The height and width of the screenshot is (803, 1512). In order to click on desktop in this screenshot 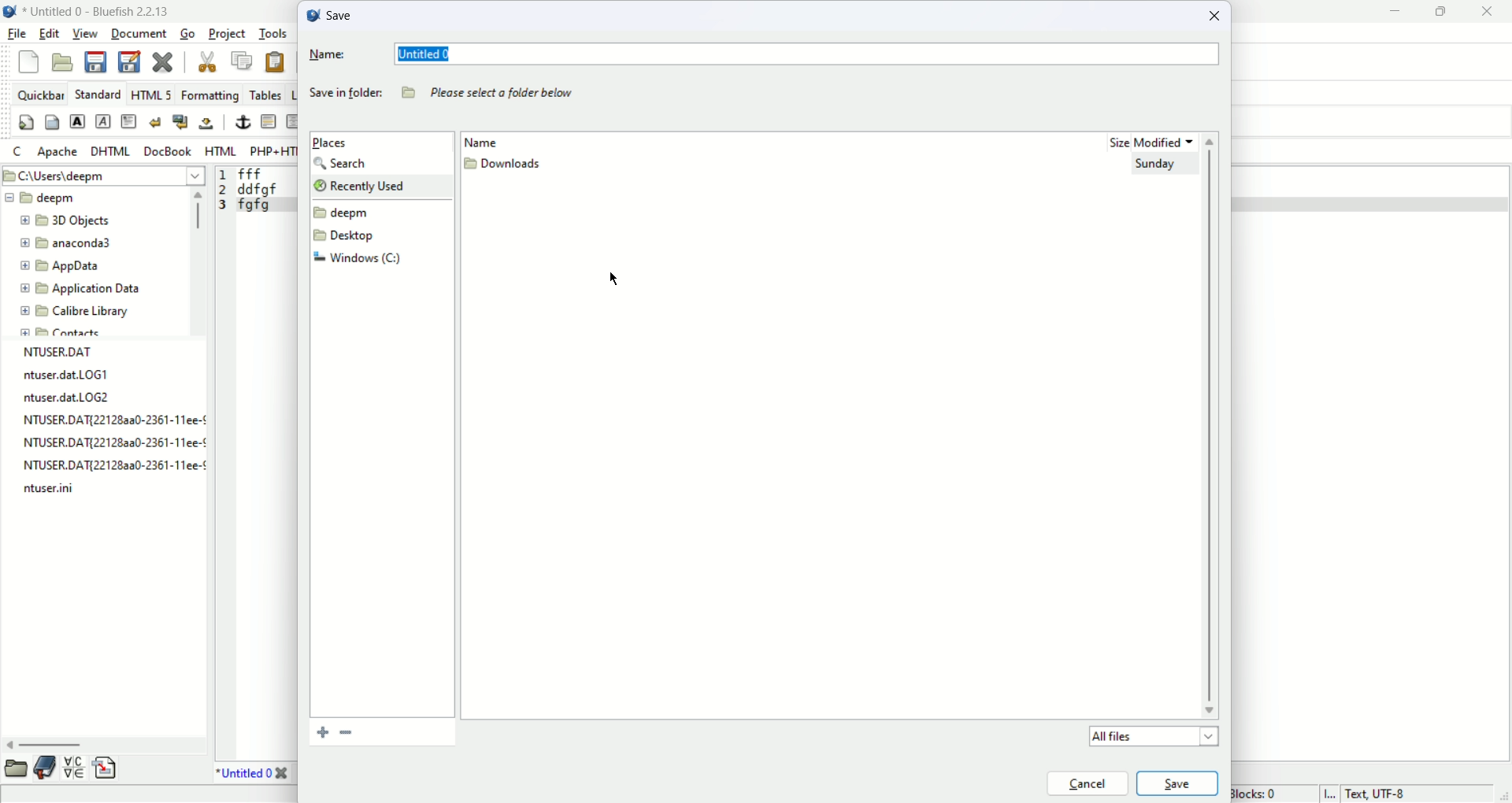, I will do `click(349, 235)`.